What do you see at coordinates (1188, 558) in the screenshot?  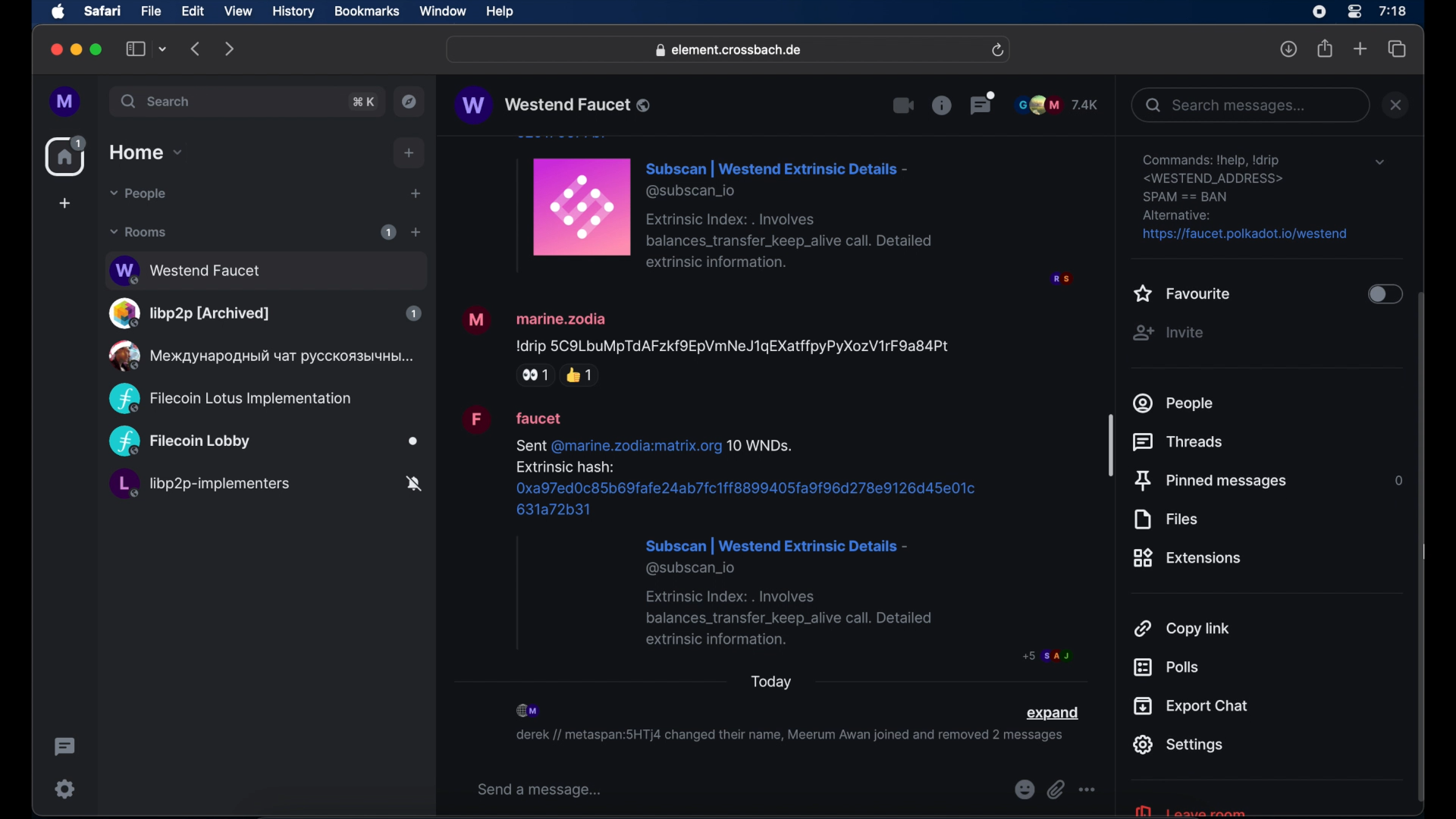 I see `extensions` at bounding box center [1188, 558].